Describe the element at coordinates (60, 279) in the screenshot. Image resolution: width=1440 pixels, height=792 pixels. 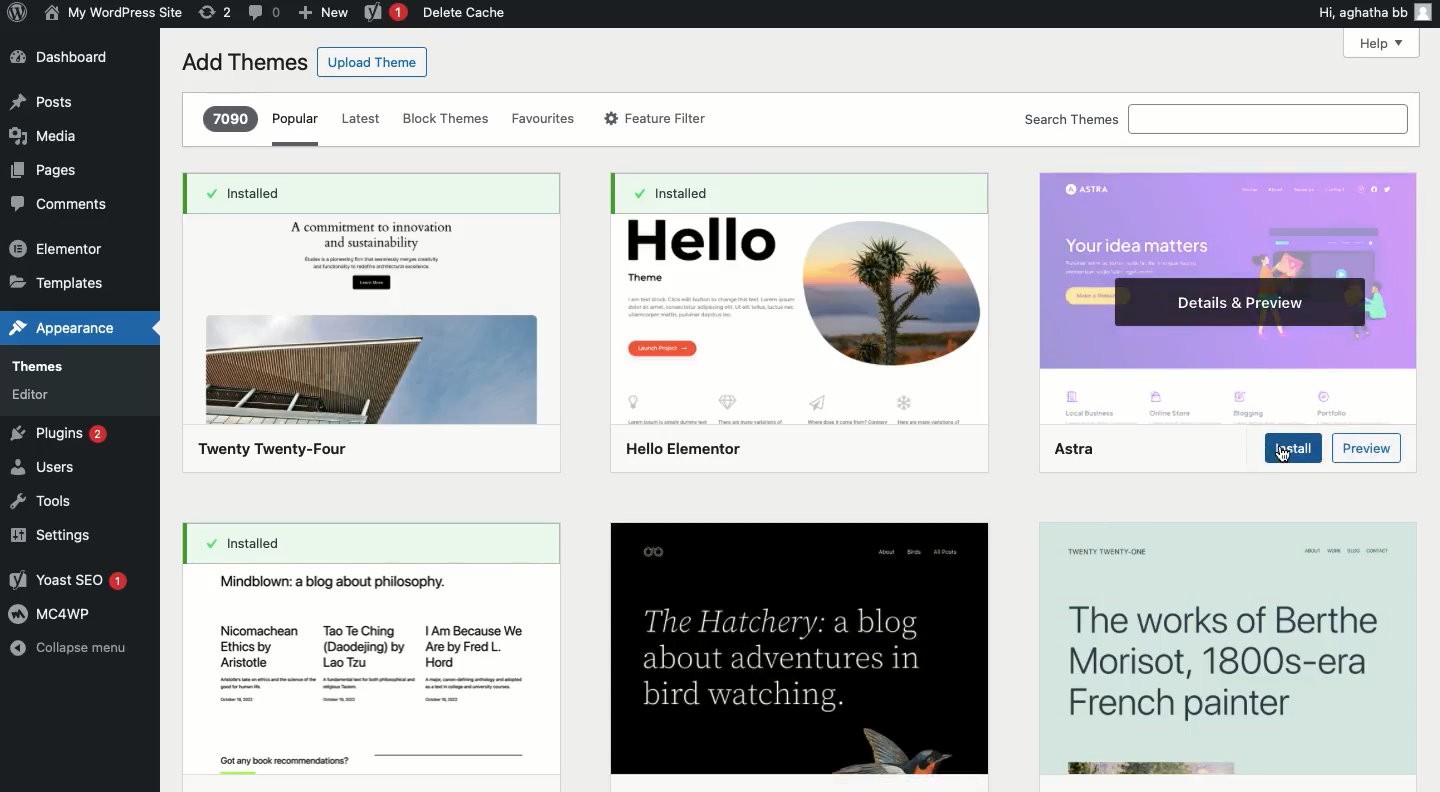
I see `Templates` at that location.